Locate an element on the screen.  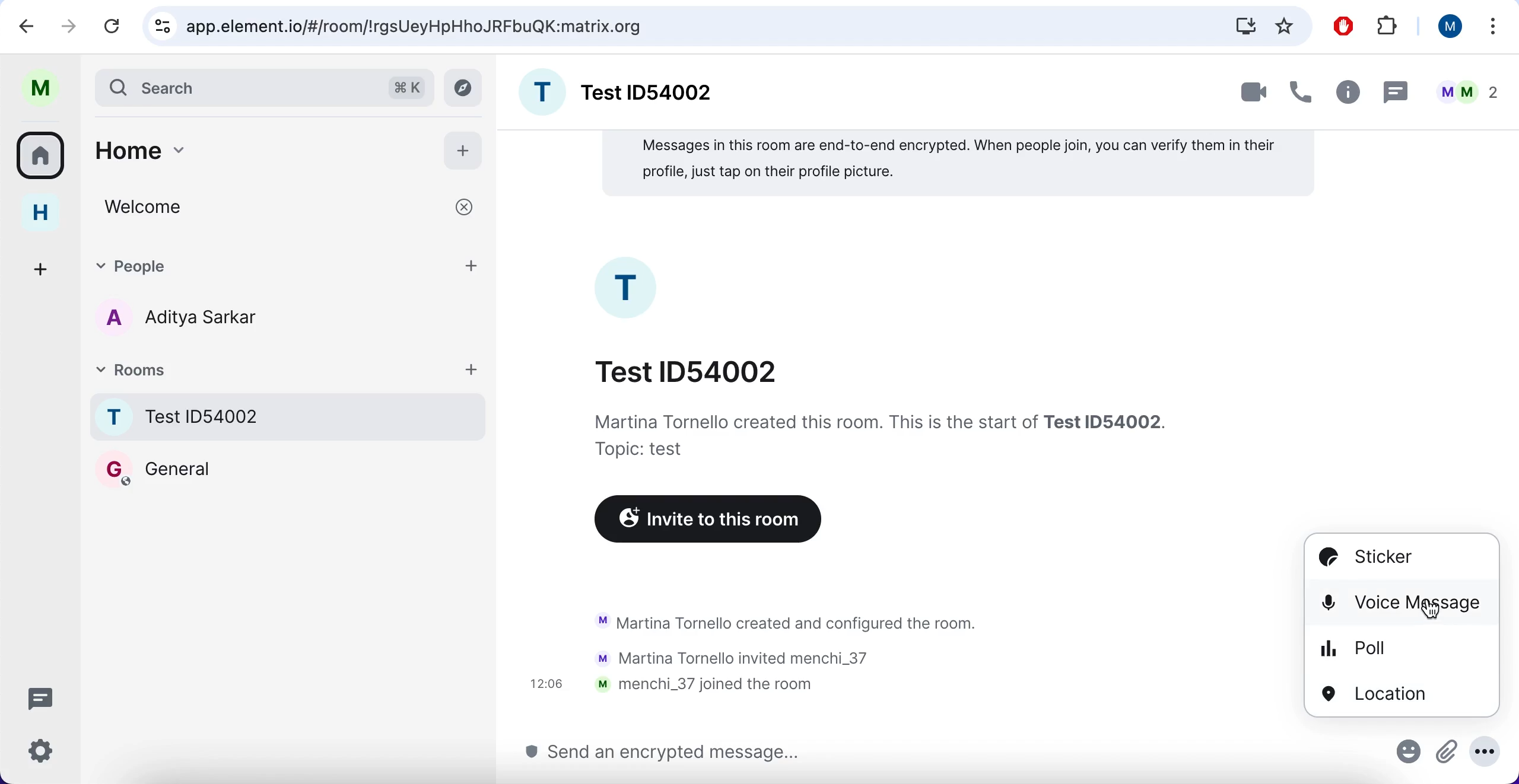
more options is located at coordinates (1486, 751).